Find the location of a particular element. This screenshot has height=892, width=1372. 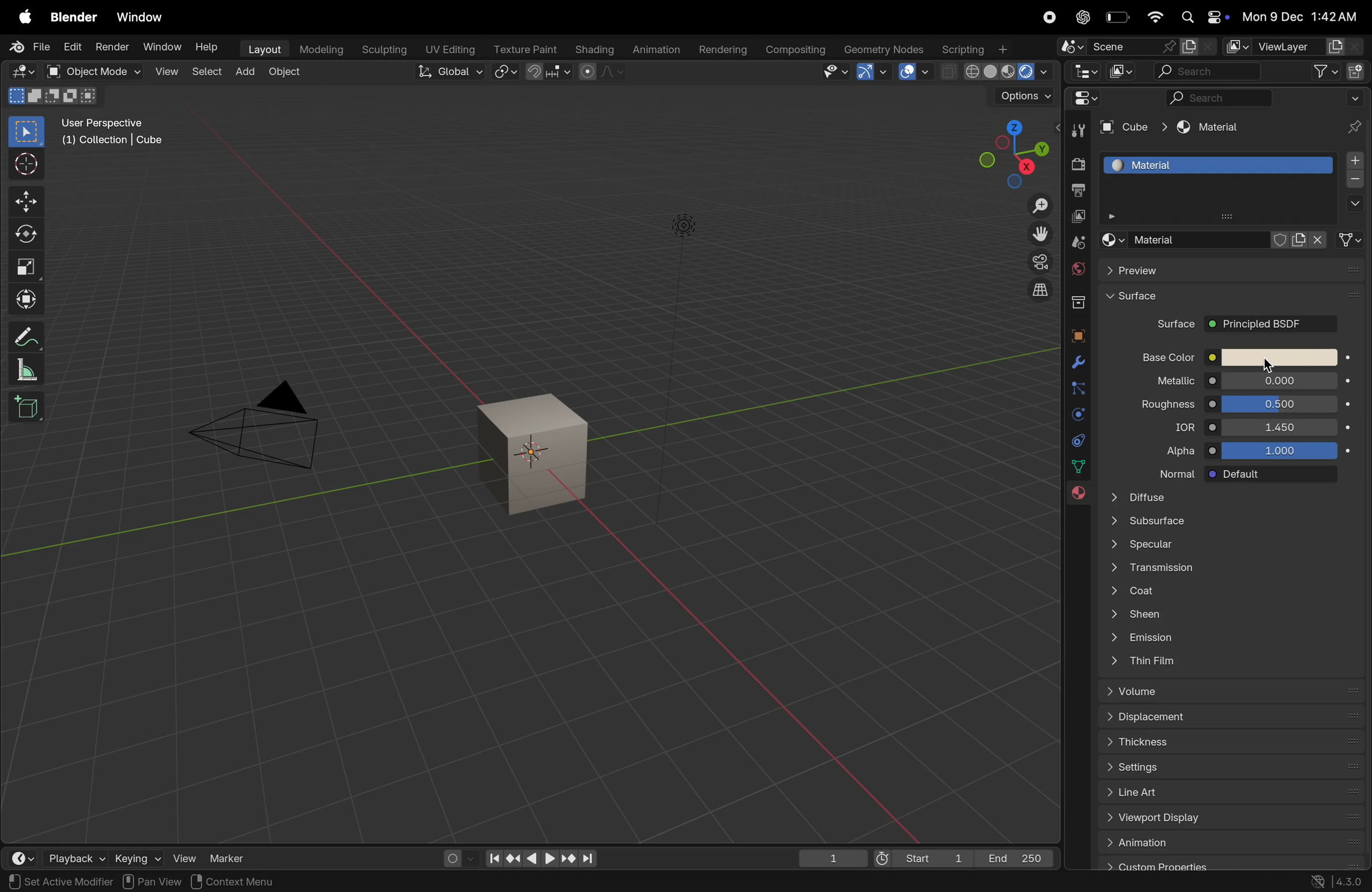

editor type is located at coordinates (1084, 70).